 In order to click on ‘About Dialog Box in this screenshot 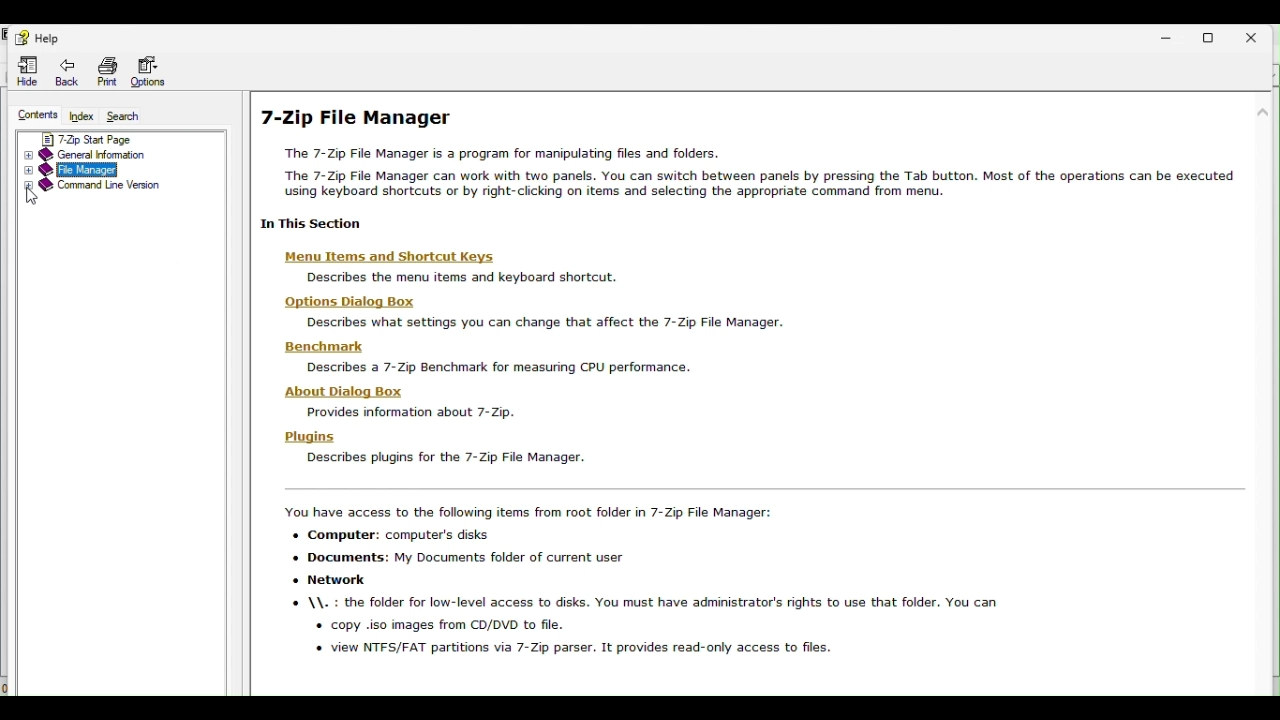, I will do `click(337, 390)`.